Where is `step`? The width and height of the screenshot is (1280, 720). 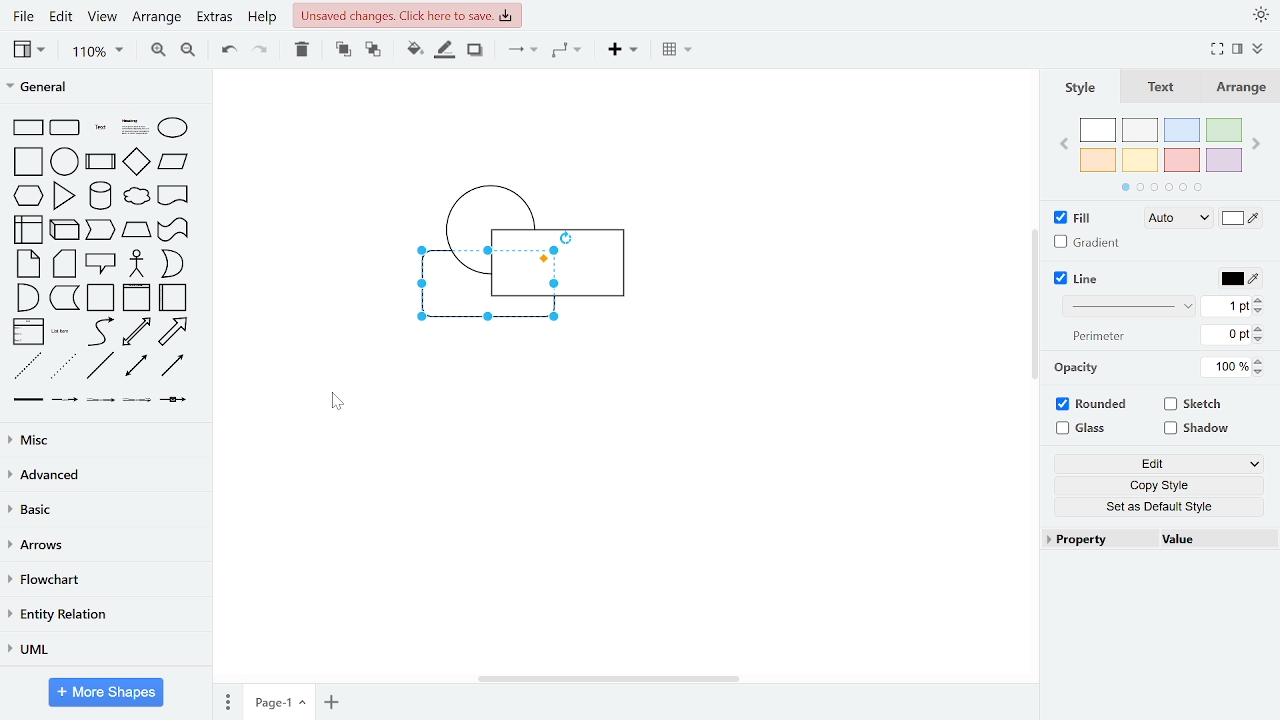
step is located at coordinates (101, 231).